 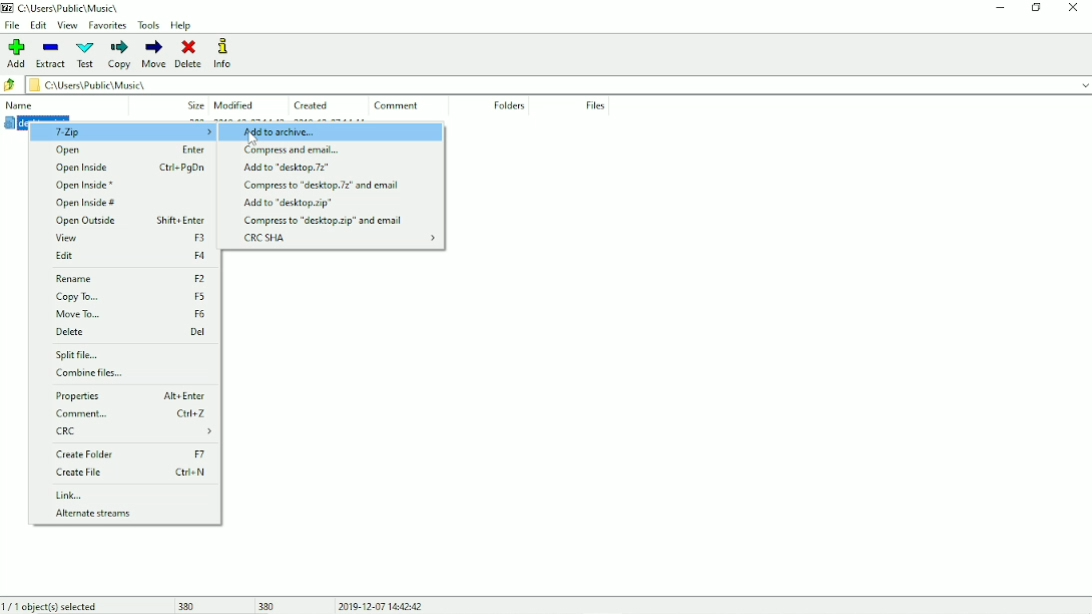 I want to click on Minimize, so click(x=1001, y=8).